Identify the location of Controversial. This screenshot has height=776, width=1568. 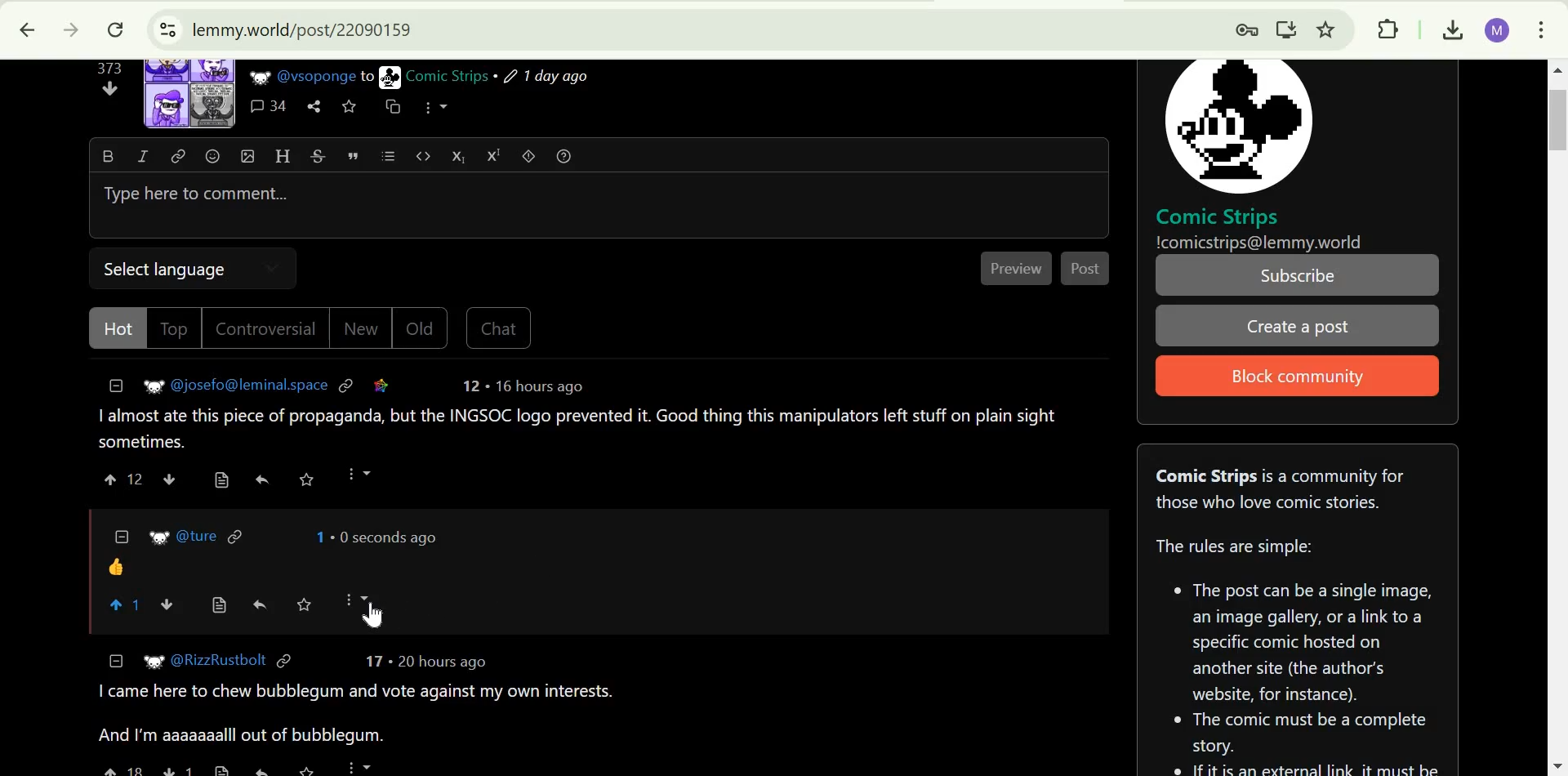
(266, 328).